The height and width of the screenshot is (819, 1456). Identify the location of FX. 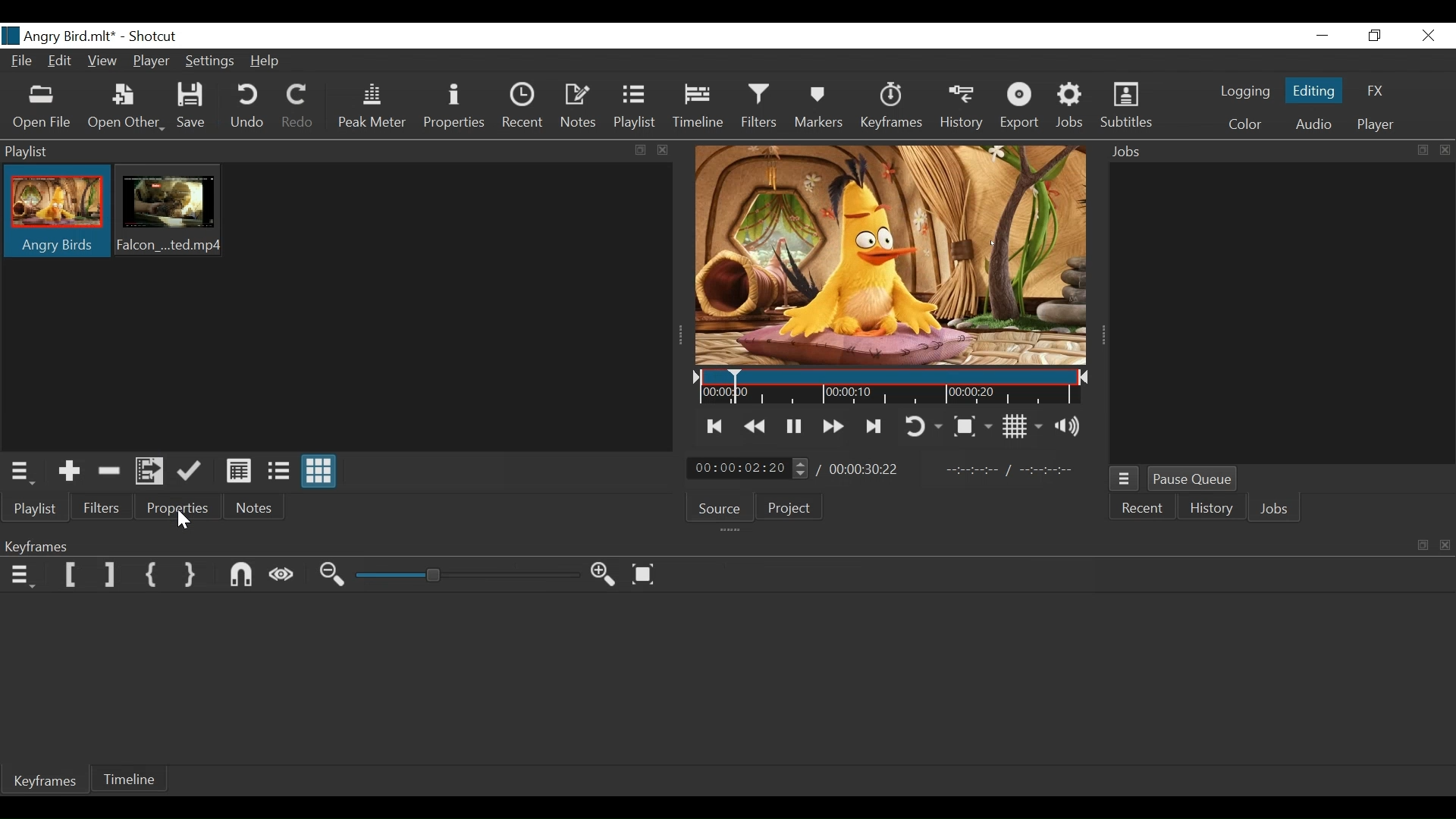
(1378, 89).